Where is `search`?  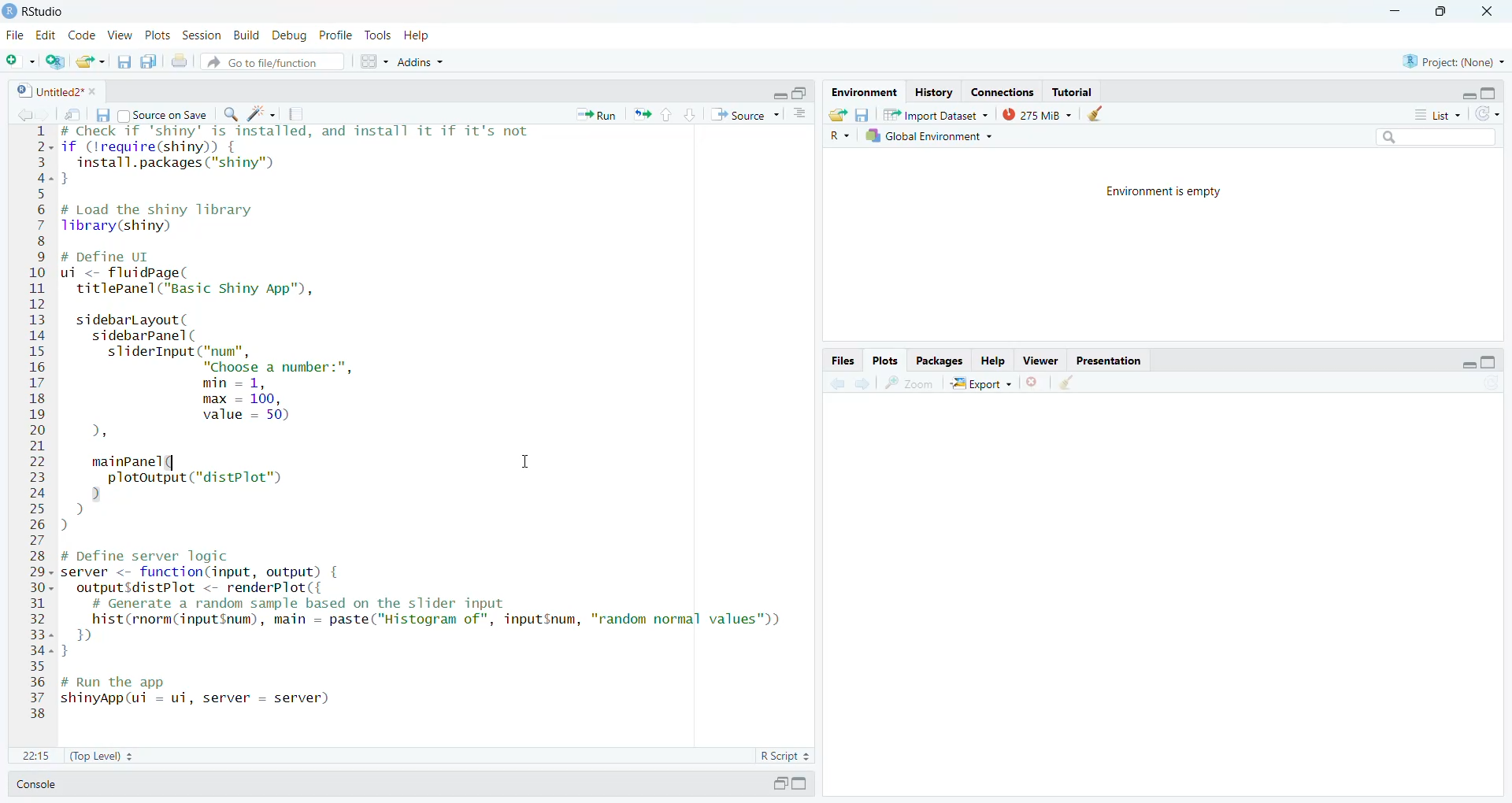 search is located at coordinates (230, 115).